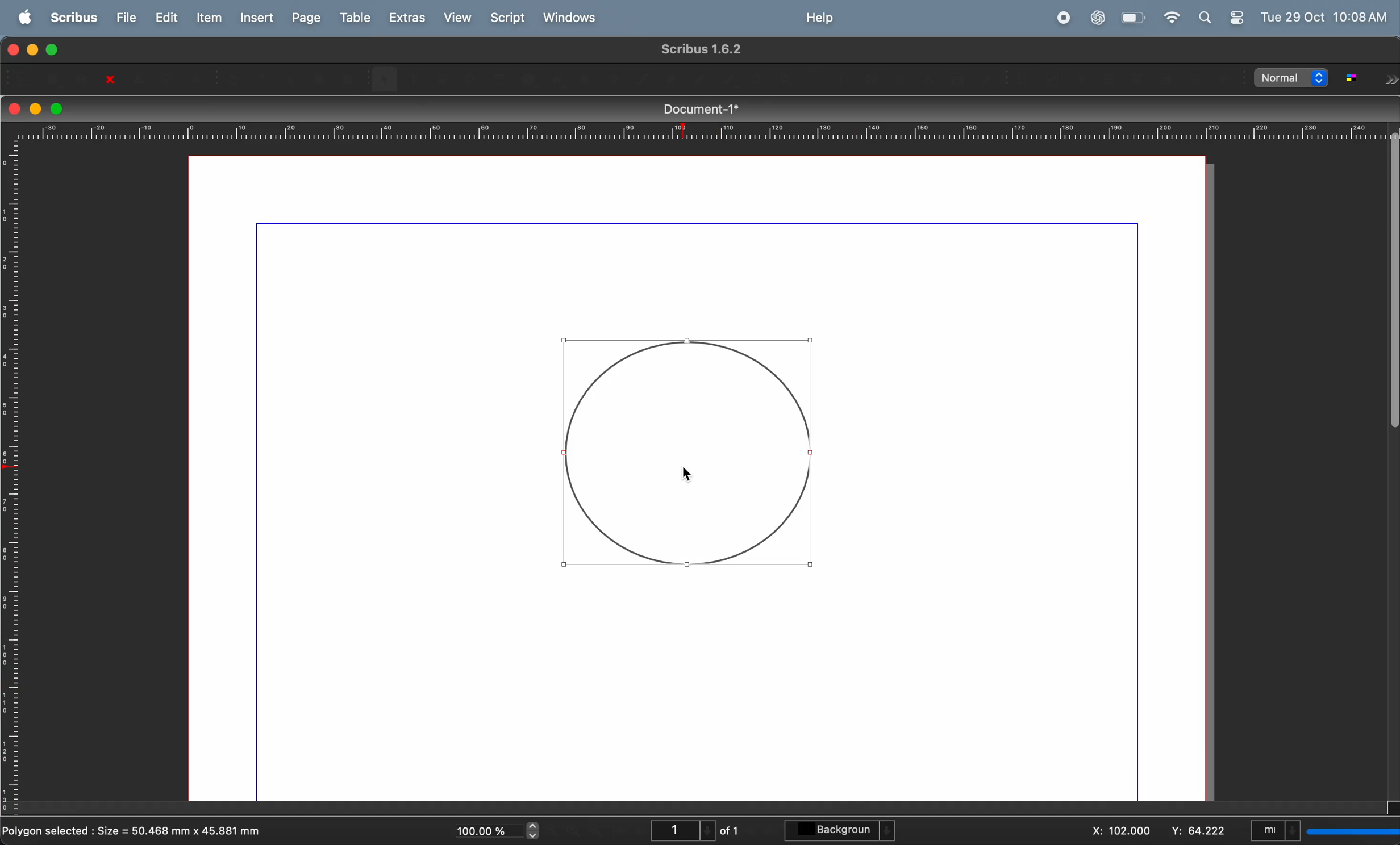 The height and width of the screenshot is (845, 1400). I want to click on item, so click(205, 18).